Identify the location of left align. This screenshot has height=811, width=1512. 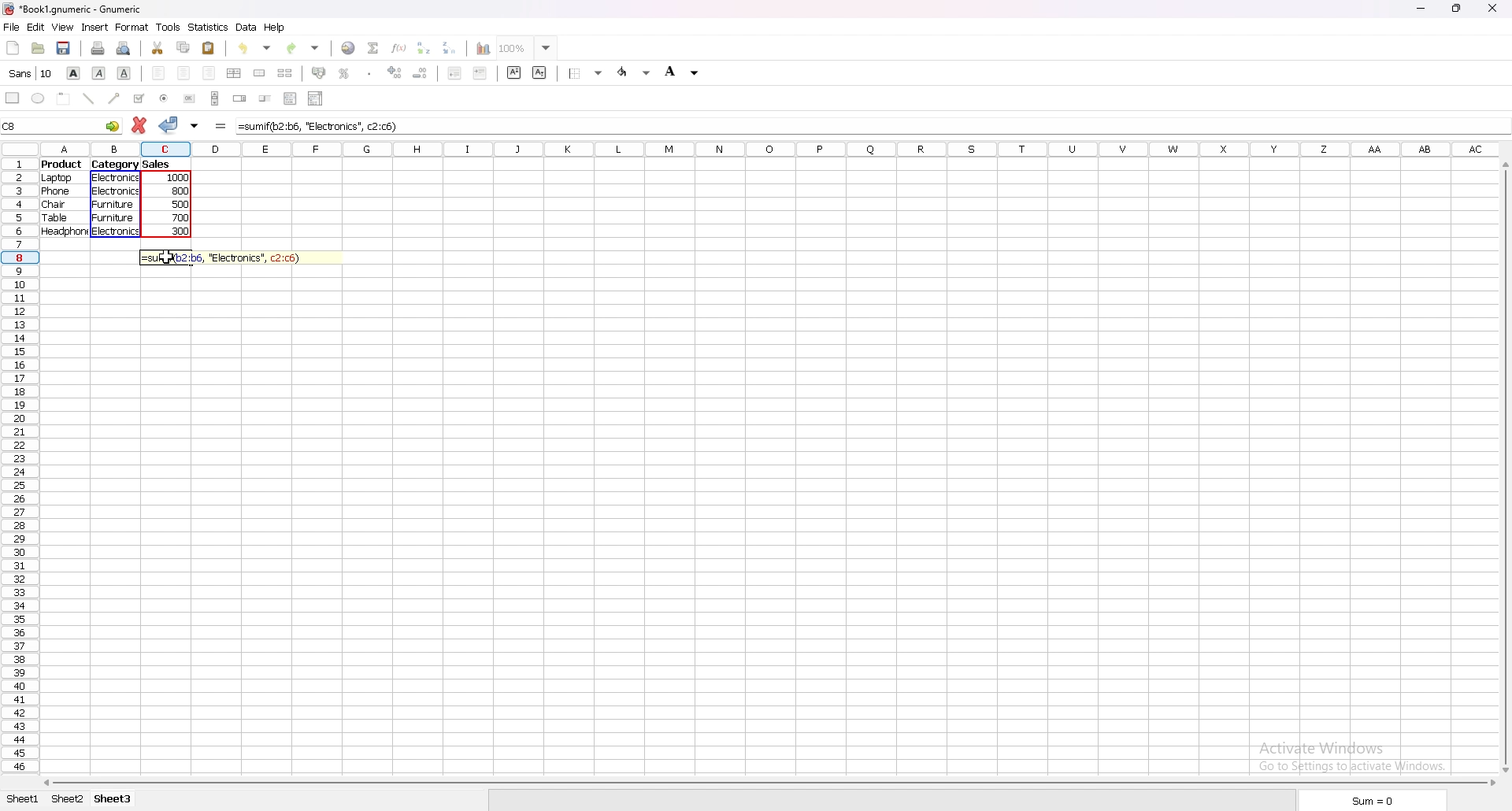
(159, 73).